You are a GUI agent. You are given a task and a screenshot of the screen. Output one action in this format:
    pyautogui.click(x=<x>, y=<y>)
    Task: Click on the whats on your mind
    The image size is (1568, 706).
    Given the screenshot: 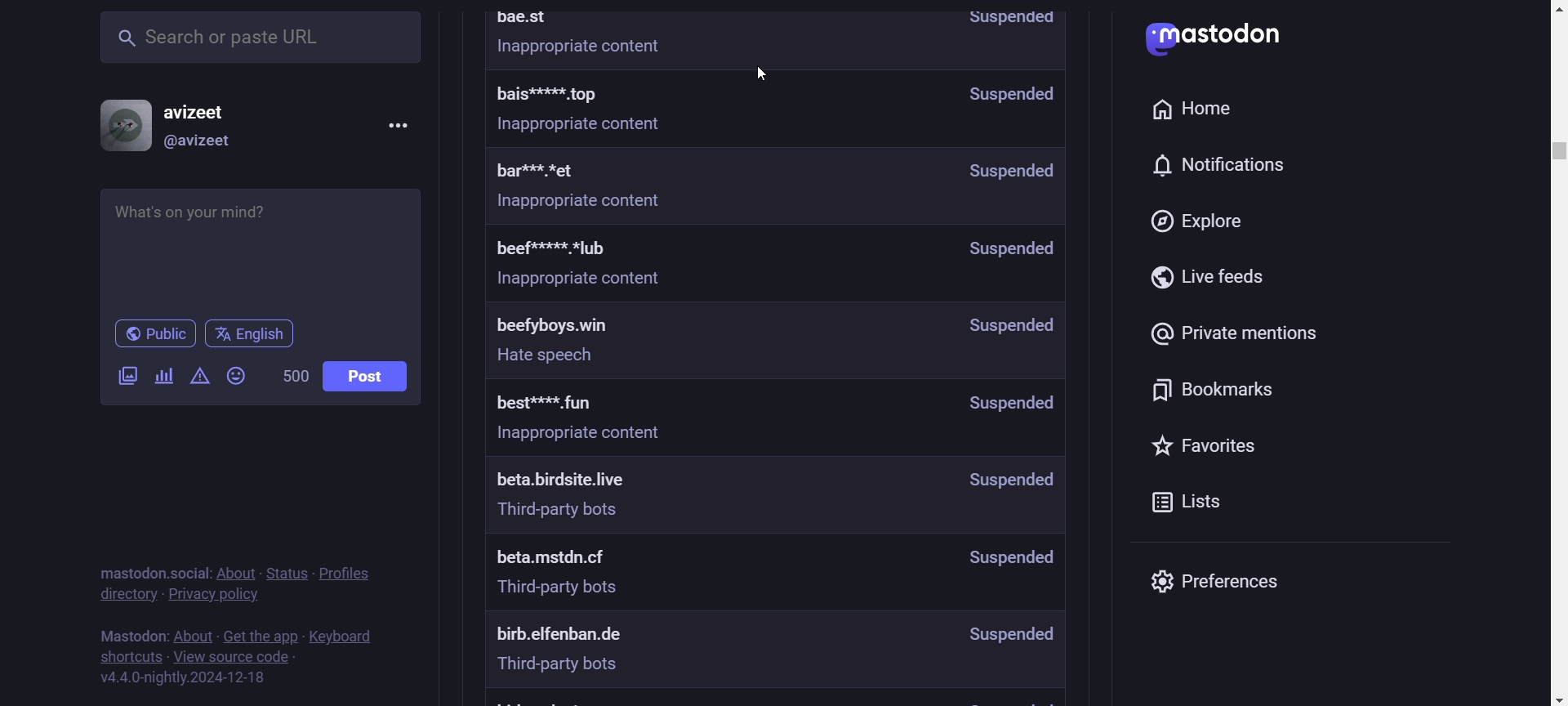 What is the action you would take?
    pyautogui.click(x=262, y=249)
    